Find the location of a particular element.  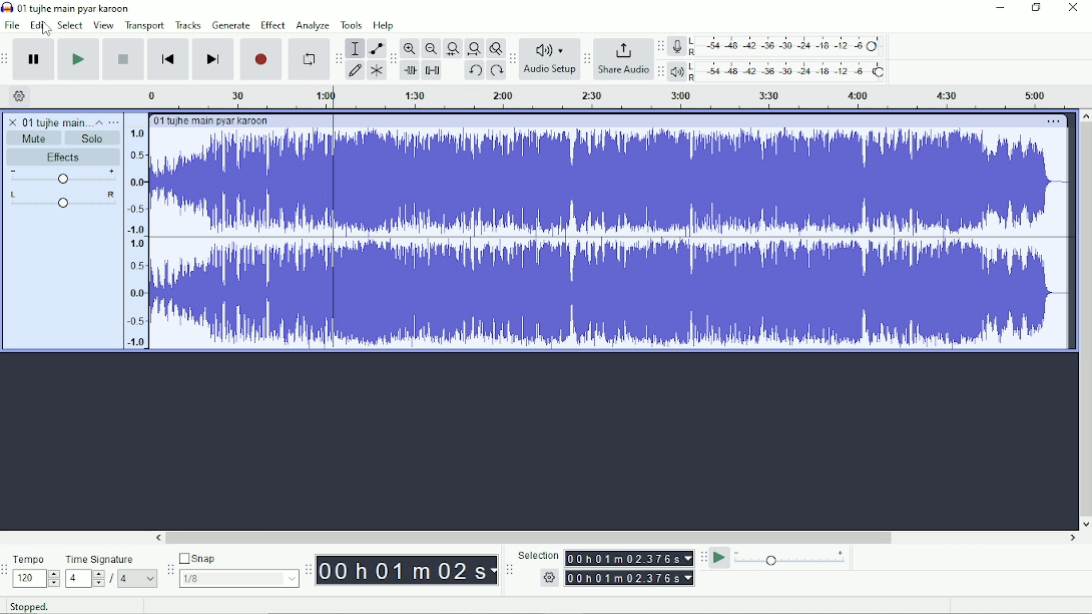

Audacity snapping toolbar is located at coordinates (169, 569).